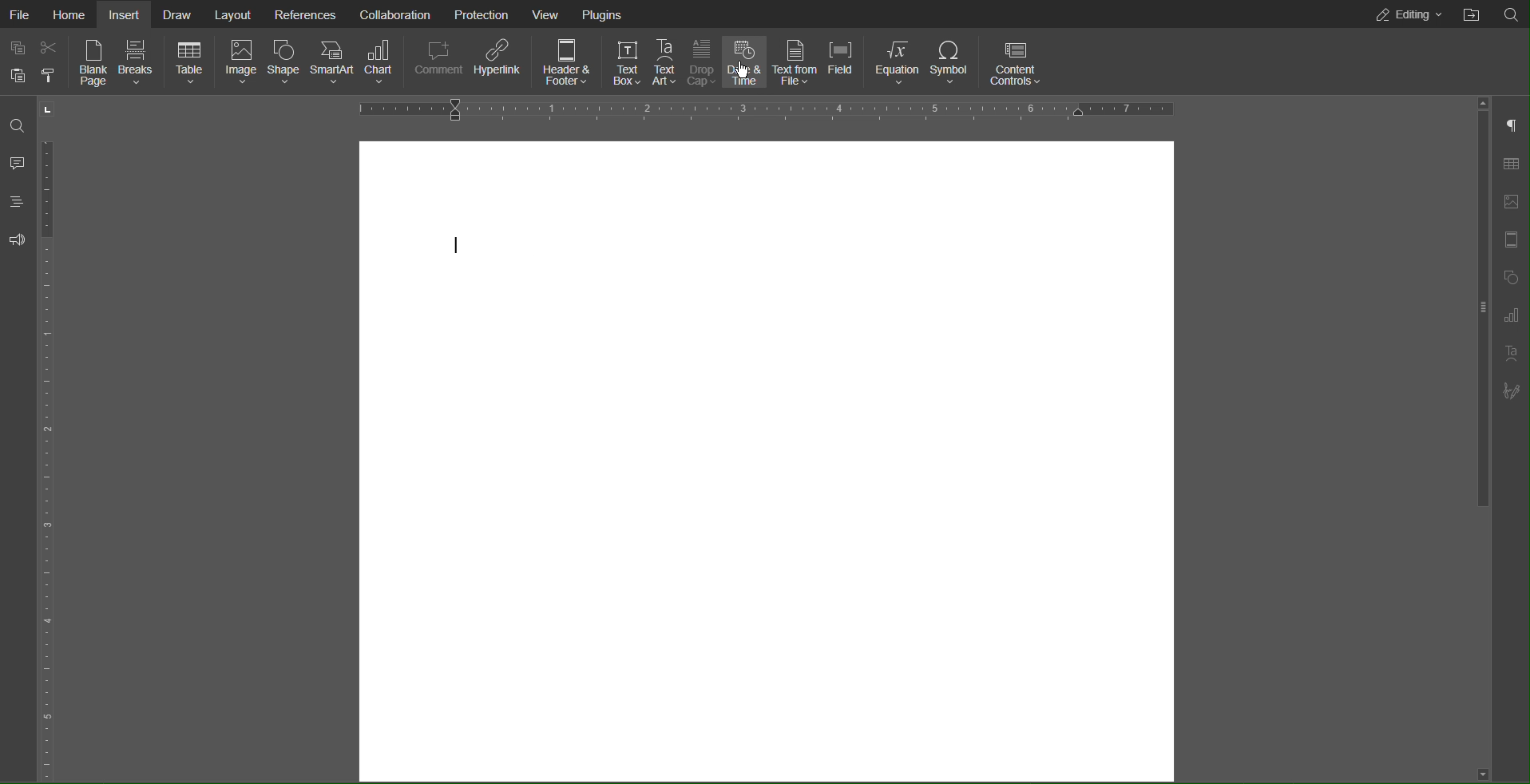 The height and width of the screenshot is (784, 1530). I want to click on Content Controls, so click(1015, 64).